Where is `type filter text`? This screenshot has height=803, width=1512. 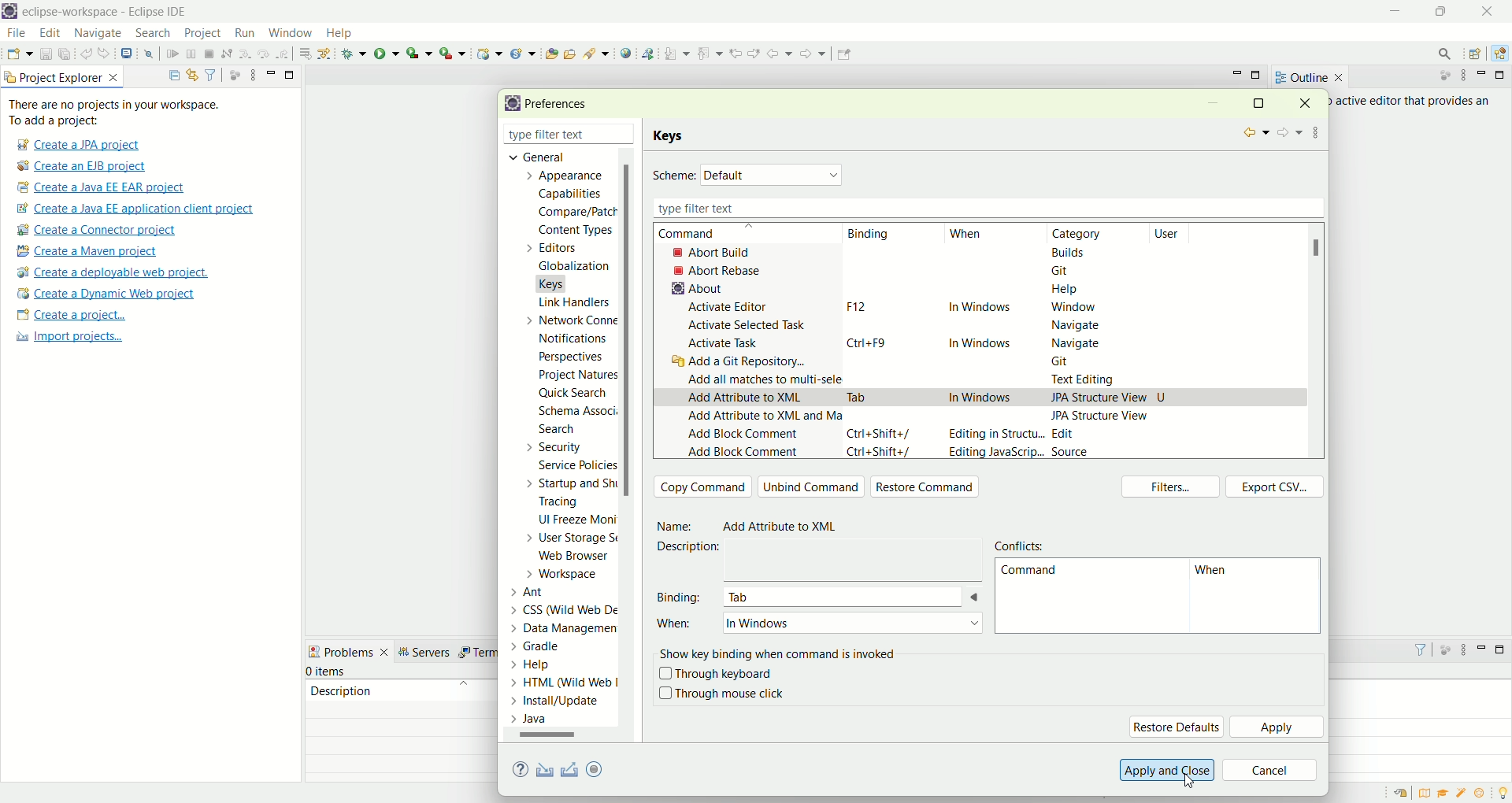 type filter text is located at coordinates (984, 208).